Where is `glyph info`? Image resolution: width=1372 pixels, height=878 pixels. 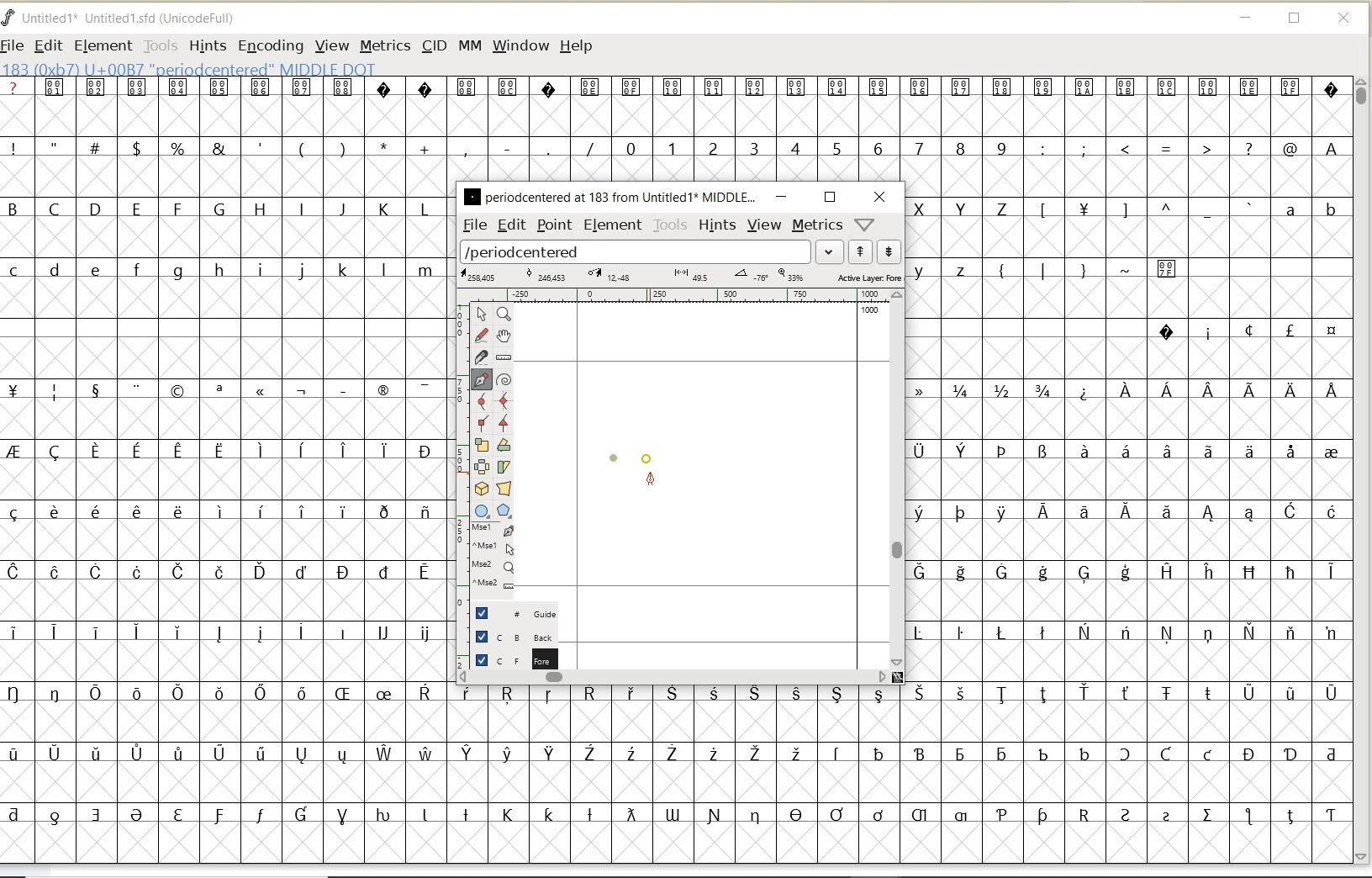
glyph info is located at coordinates (191, 68).